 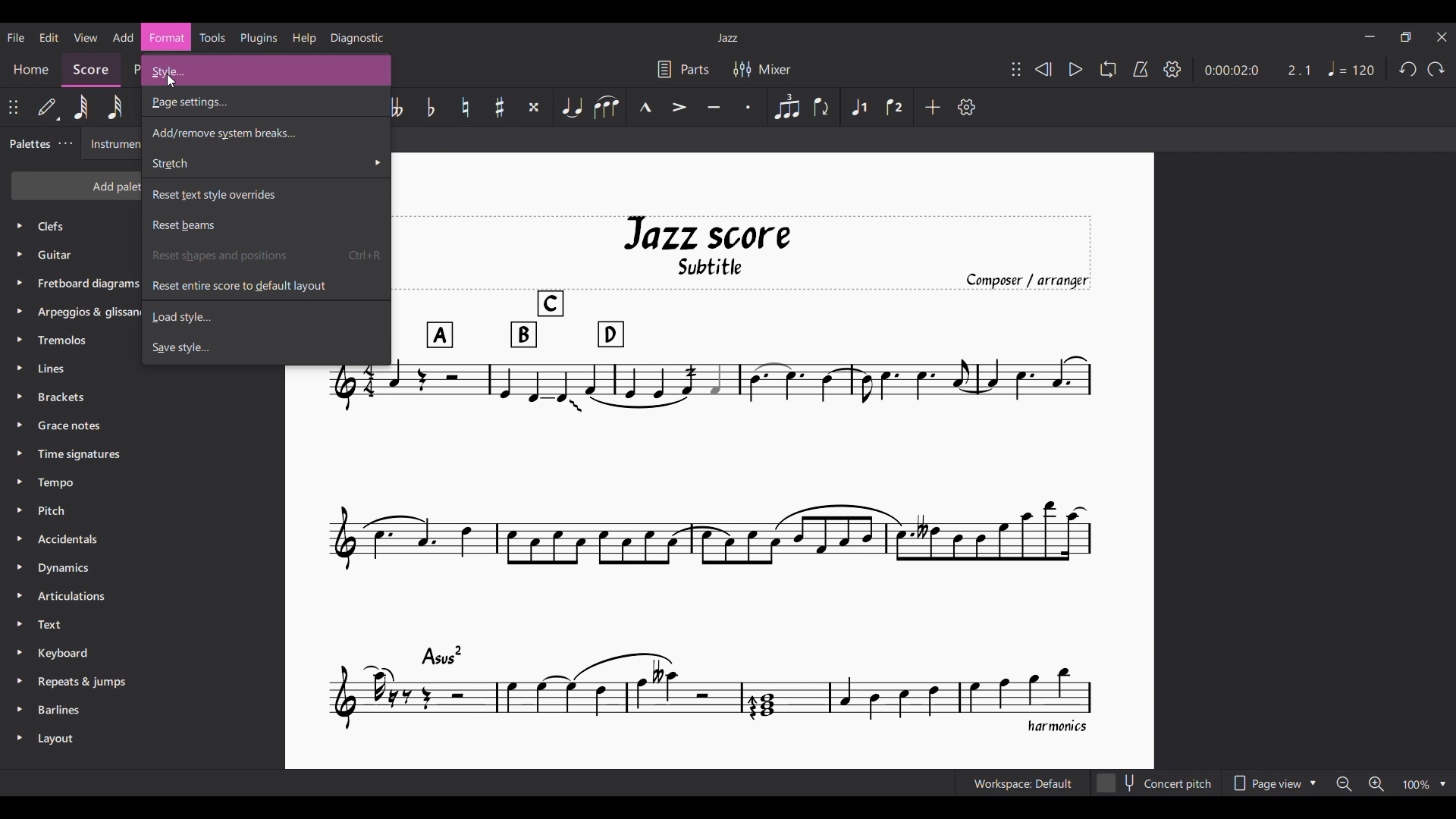 What do you see at coordinates (61, 343) in the screenshot?
I see `Tremolos` at bounding box center [61, 343].